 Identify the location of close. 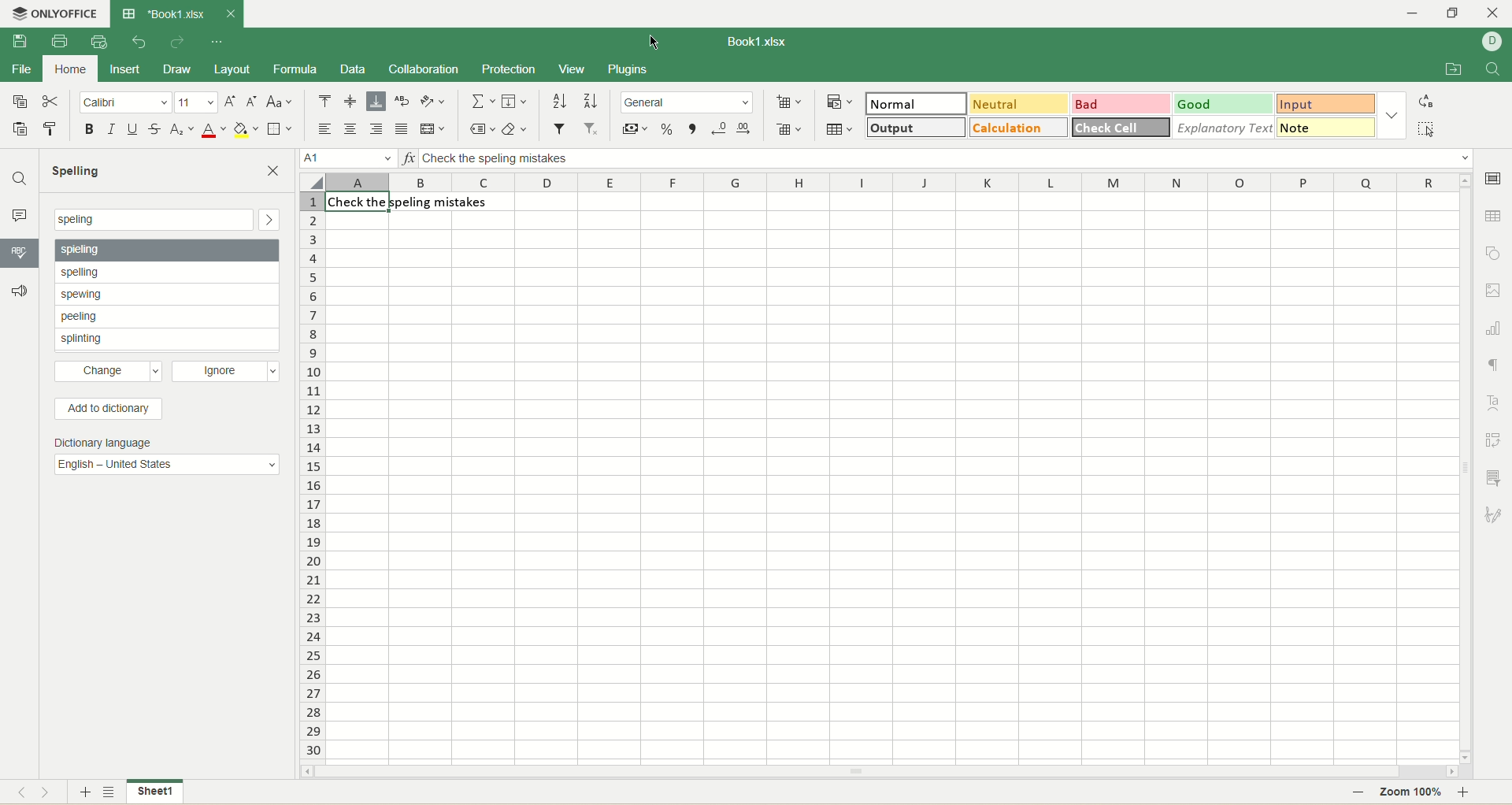
(229, 14).